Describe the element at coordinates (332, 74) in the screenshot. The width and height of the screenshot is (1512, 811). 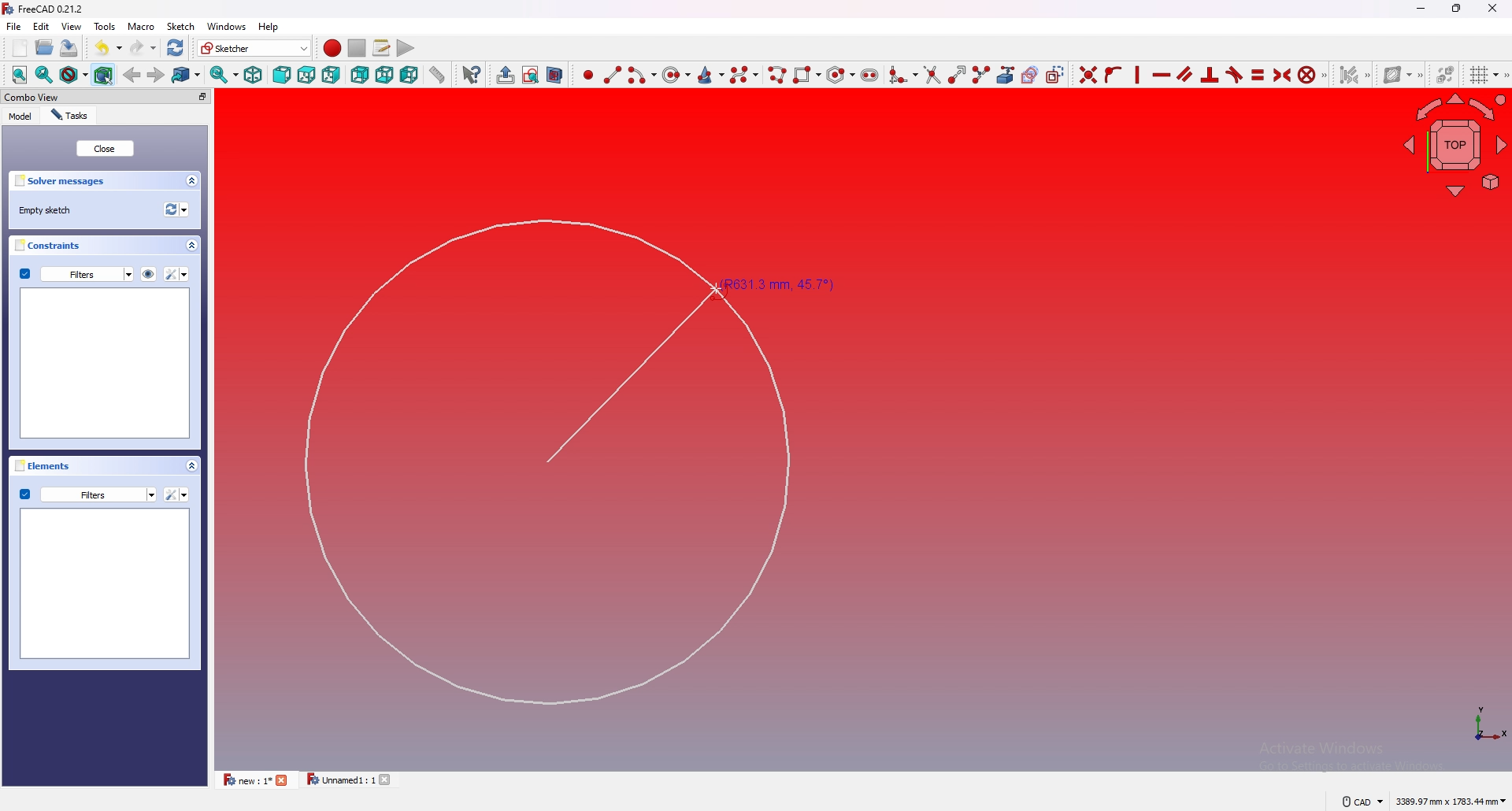
I see `right` at that location.